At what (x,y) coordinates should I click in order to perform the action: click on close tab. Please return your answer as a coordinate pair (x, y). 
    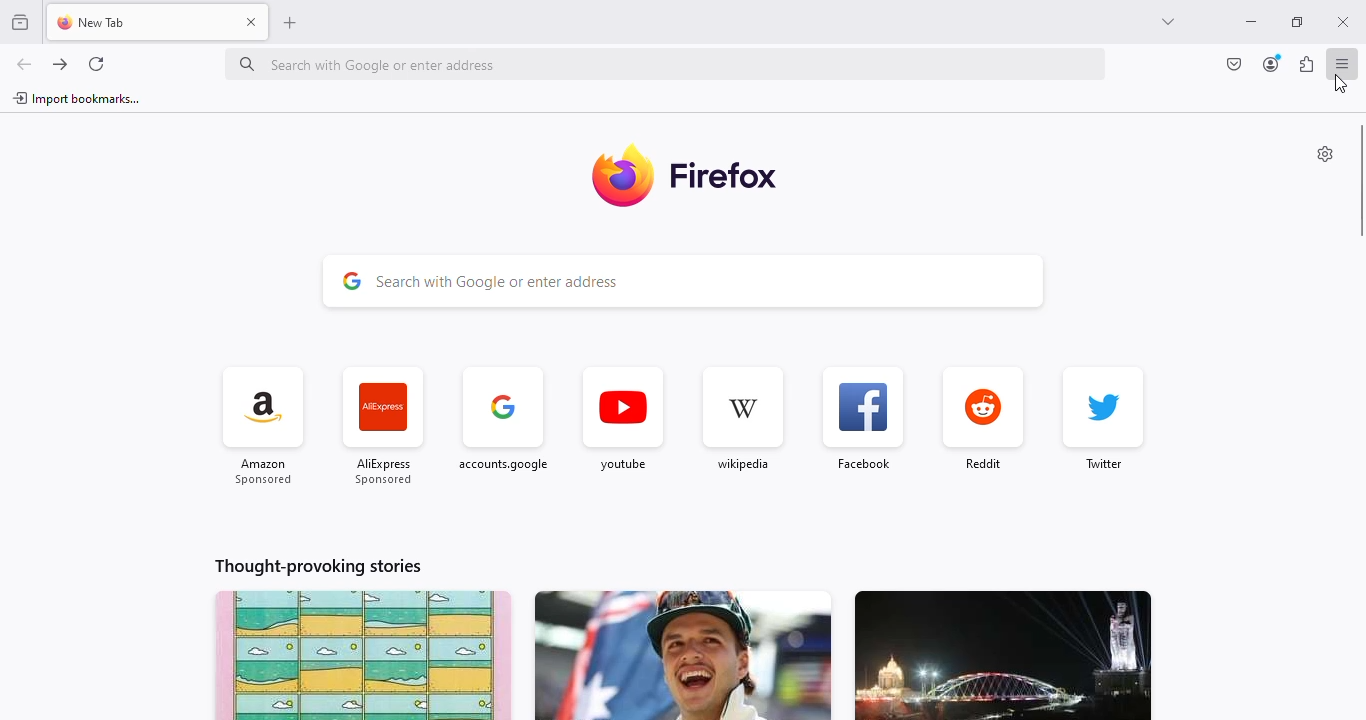
    Looking at the image, I should click on (252, 21).